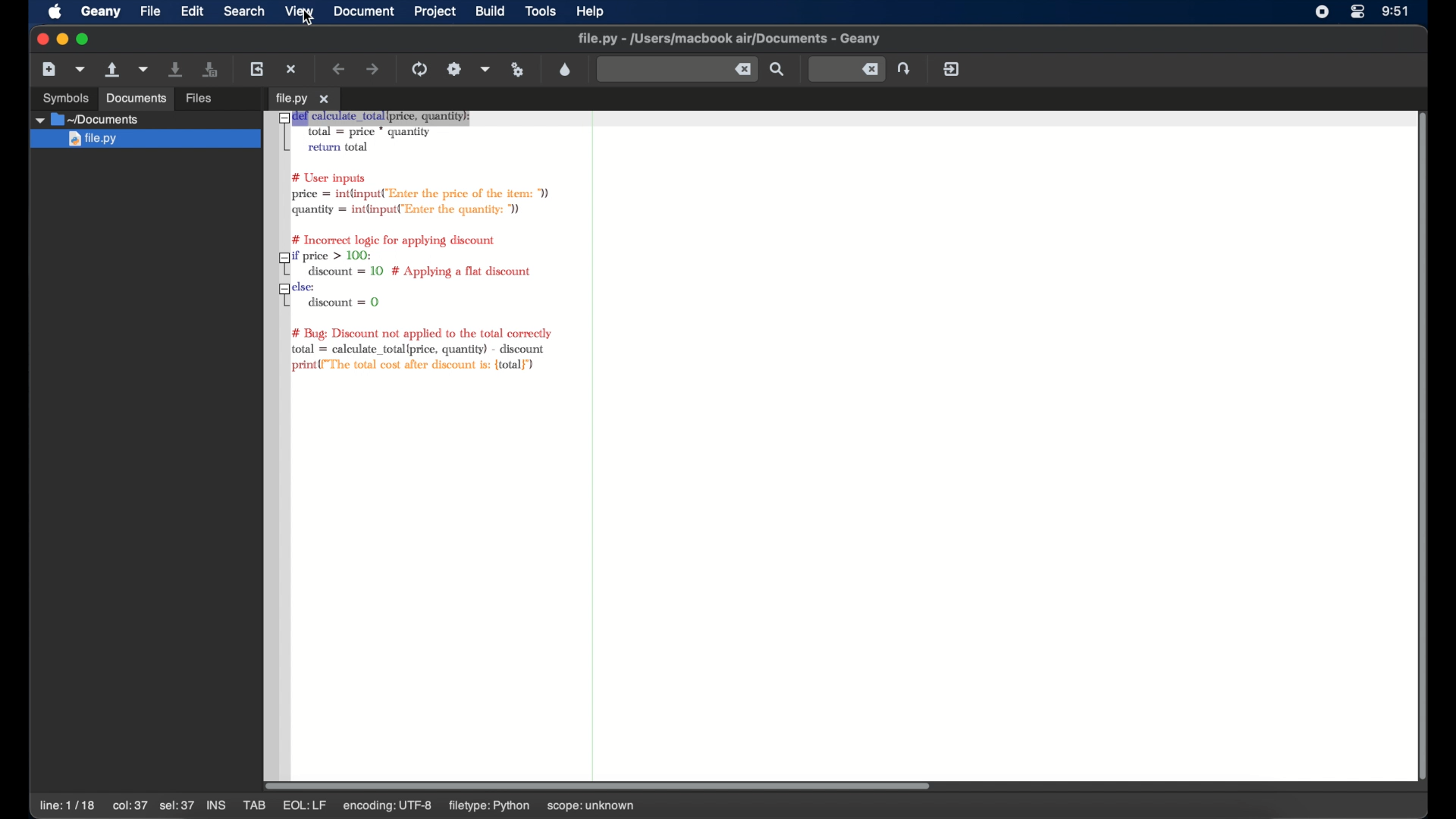  I want to click on file name, so click(728, 39).